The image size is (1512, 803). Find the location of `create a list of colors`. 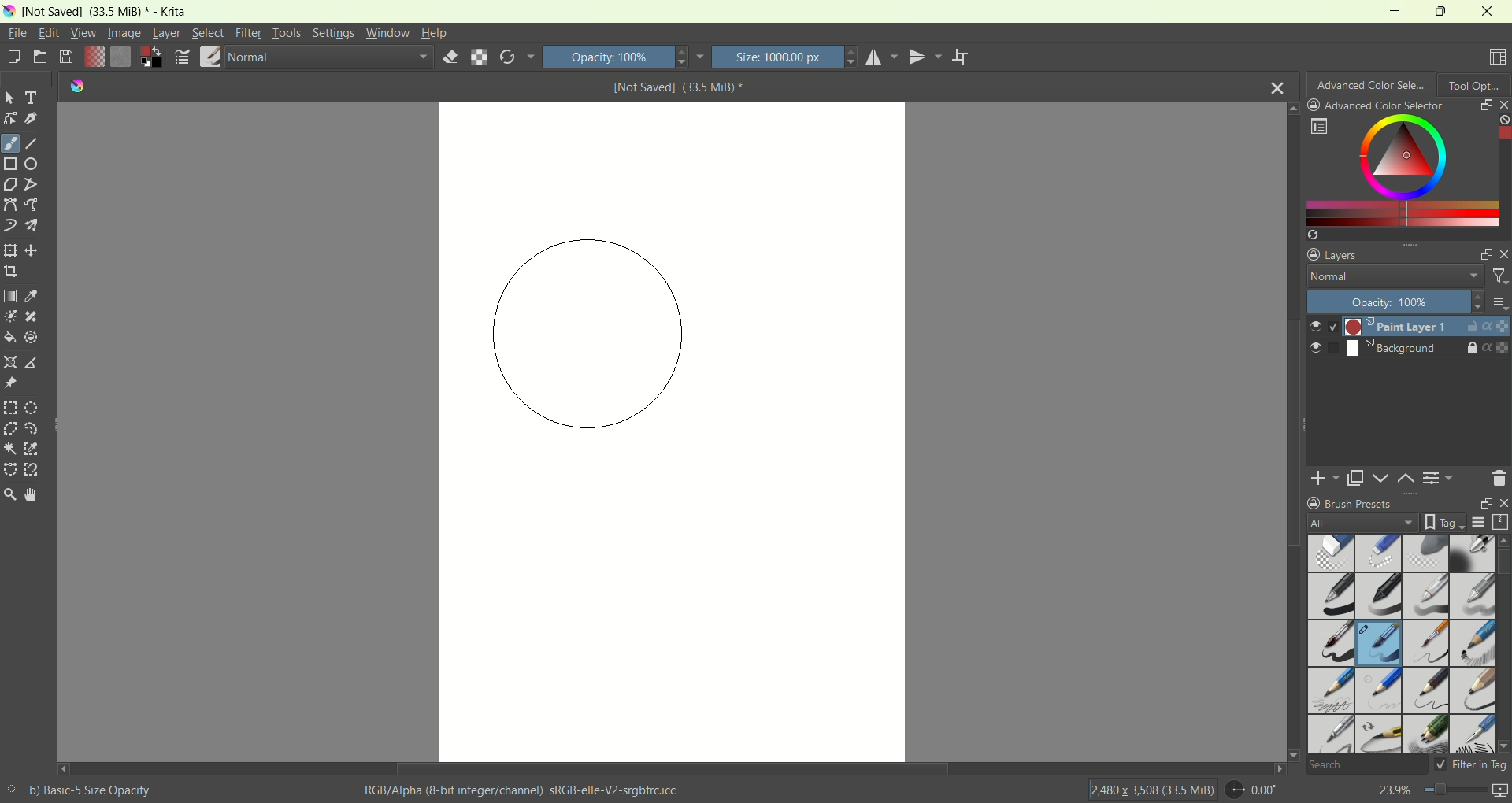

create a list of colors is located at coordinates (1408, 235).